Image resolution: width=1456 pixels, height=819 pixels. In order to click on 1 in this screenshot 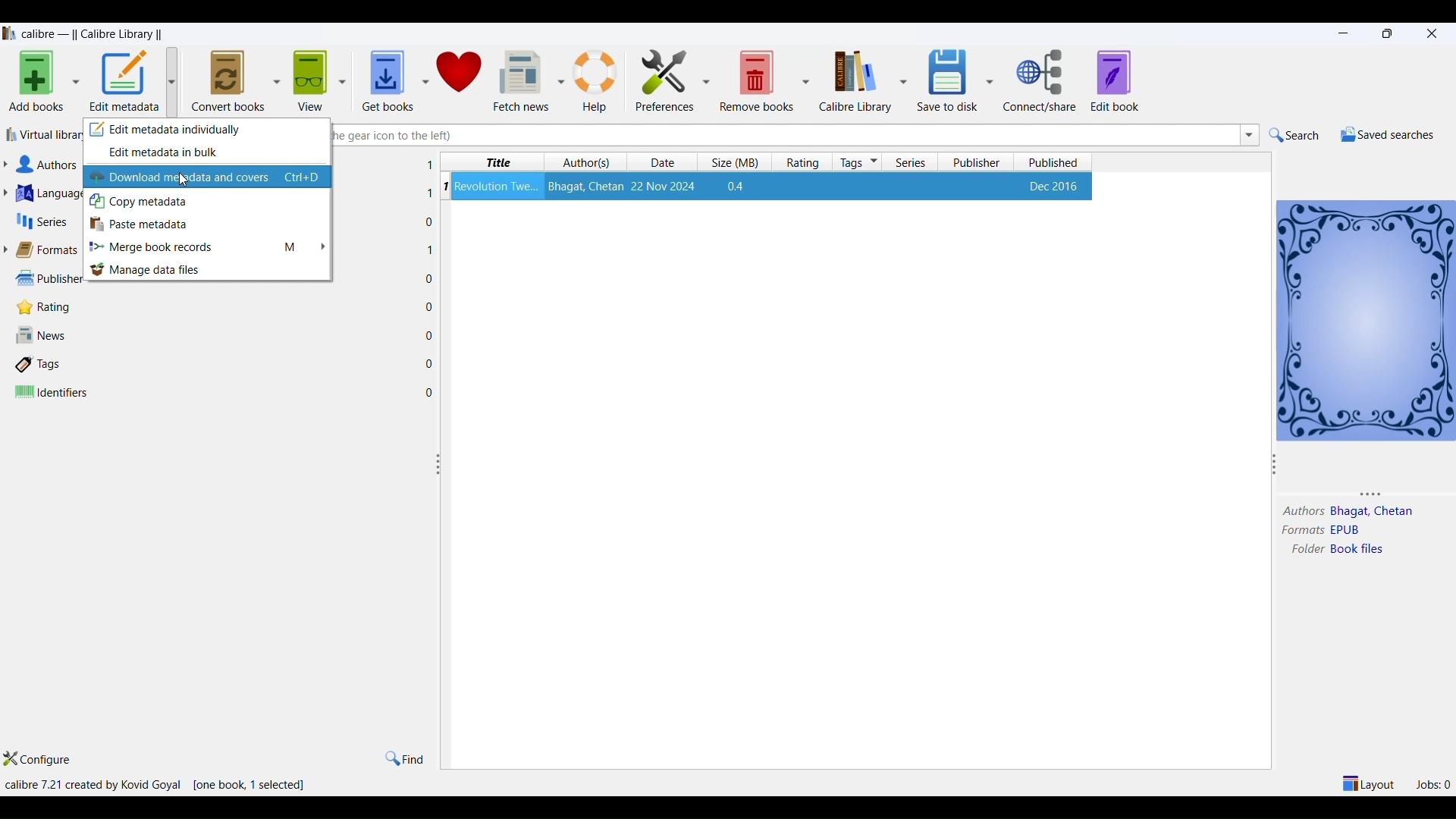, I will do `click(429, 165)`.